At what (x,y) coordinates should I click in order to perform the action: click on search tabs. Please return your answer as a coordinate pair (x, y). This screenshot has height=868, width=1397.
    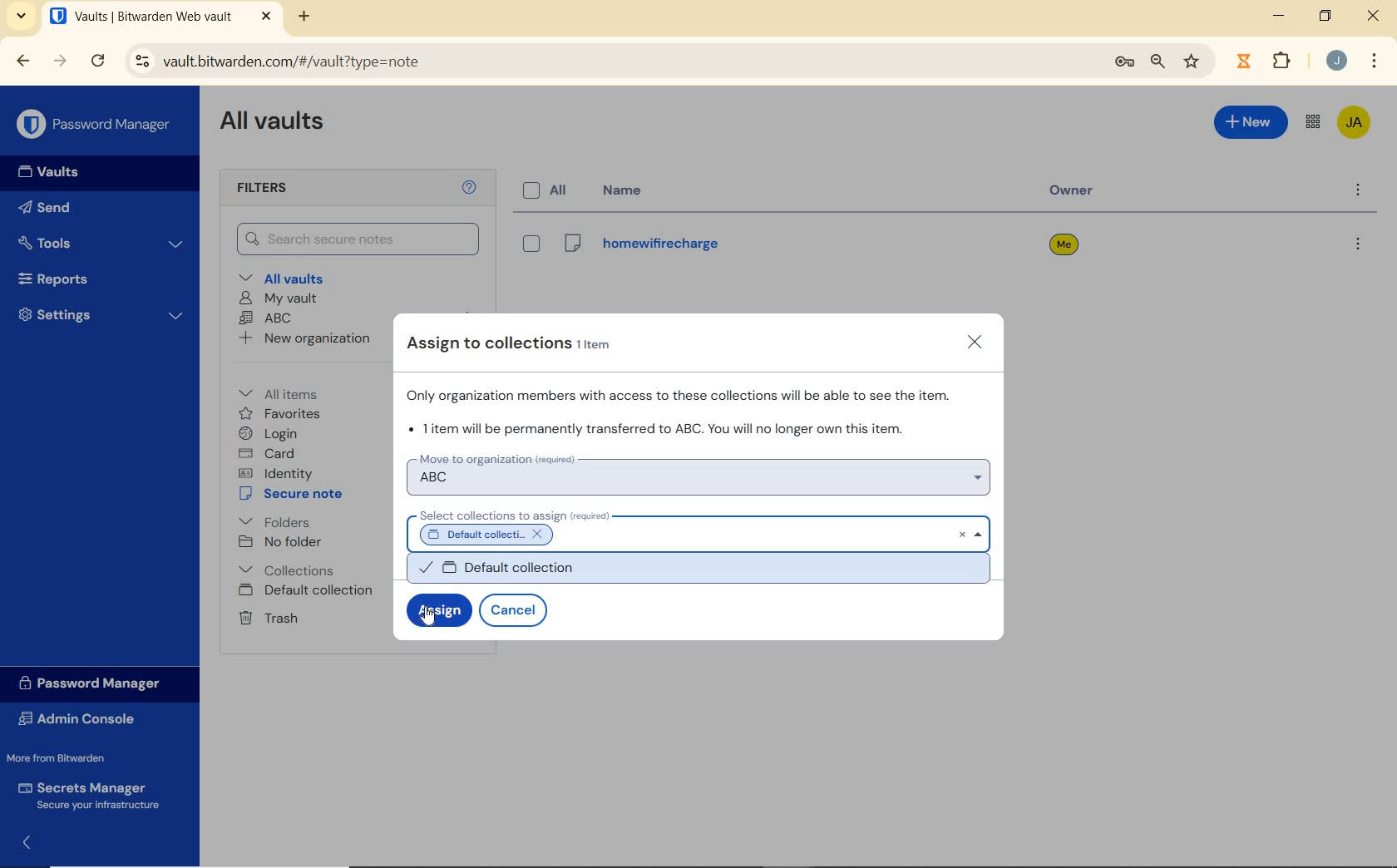
    Looking at the image, I should click on (23, 18).